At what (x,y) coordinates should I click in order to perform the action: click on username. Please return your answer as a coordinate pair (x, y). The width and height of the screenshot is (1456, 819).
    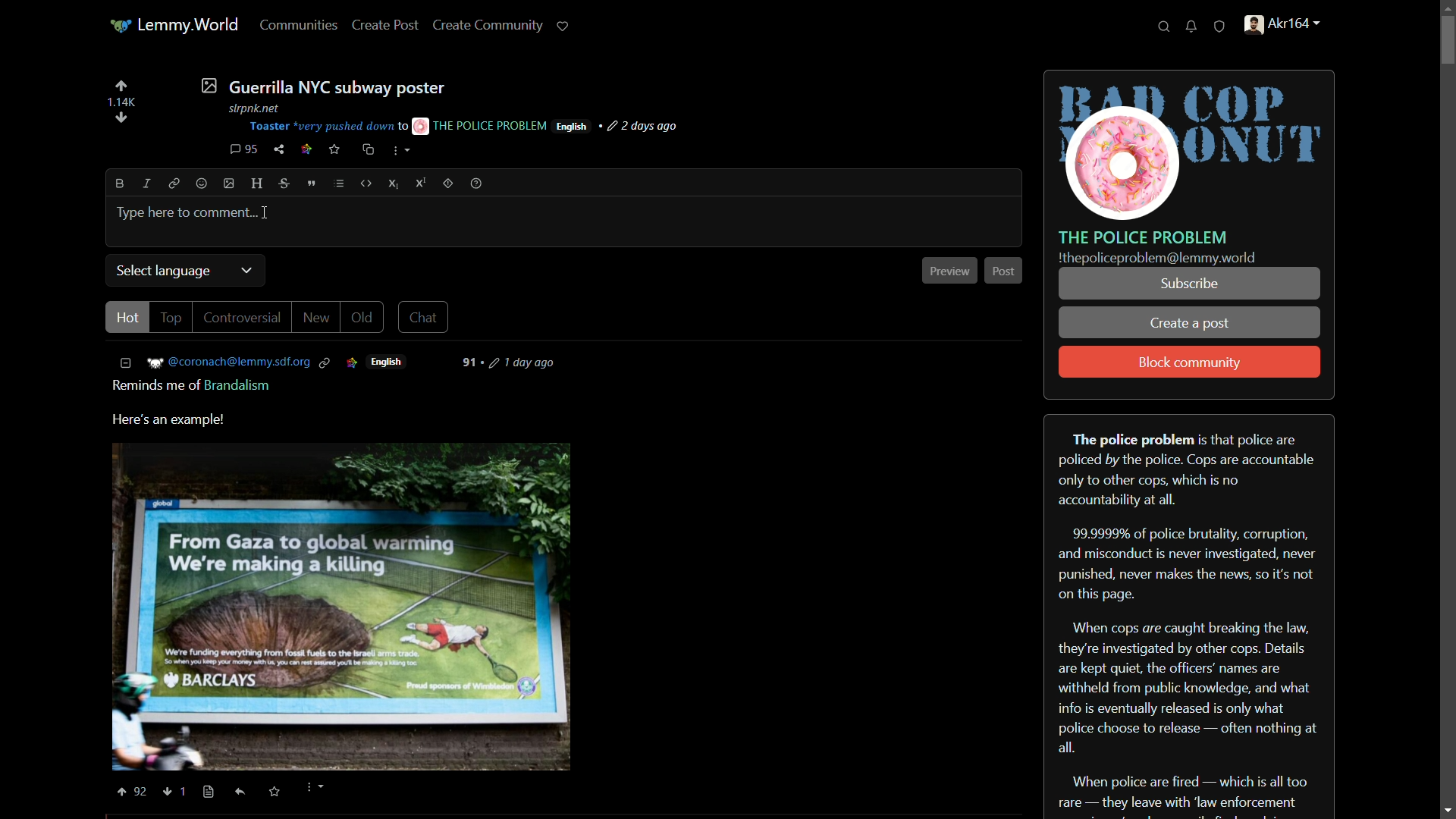
    Looking at the image, I should click on (229, 362).